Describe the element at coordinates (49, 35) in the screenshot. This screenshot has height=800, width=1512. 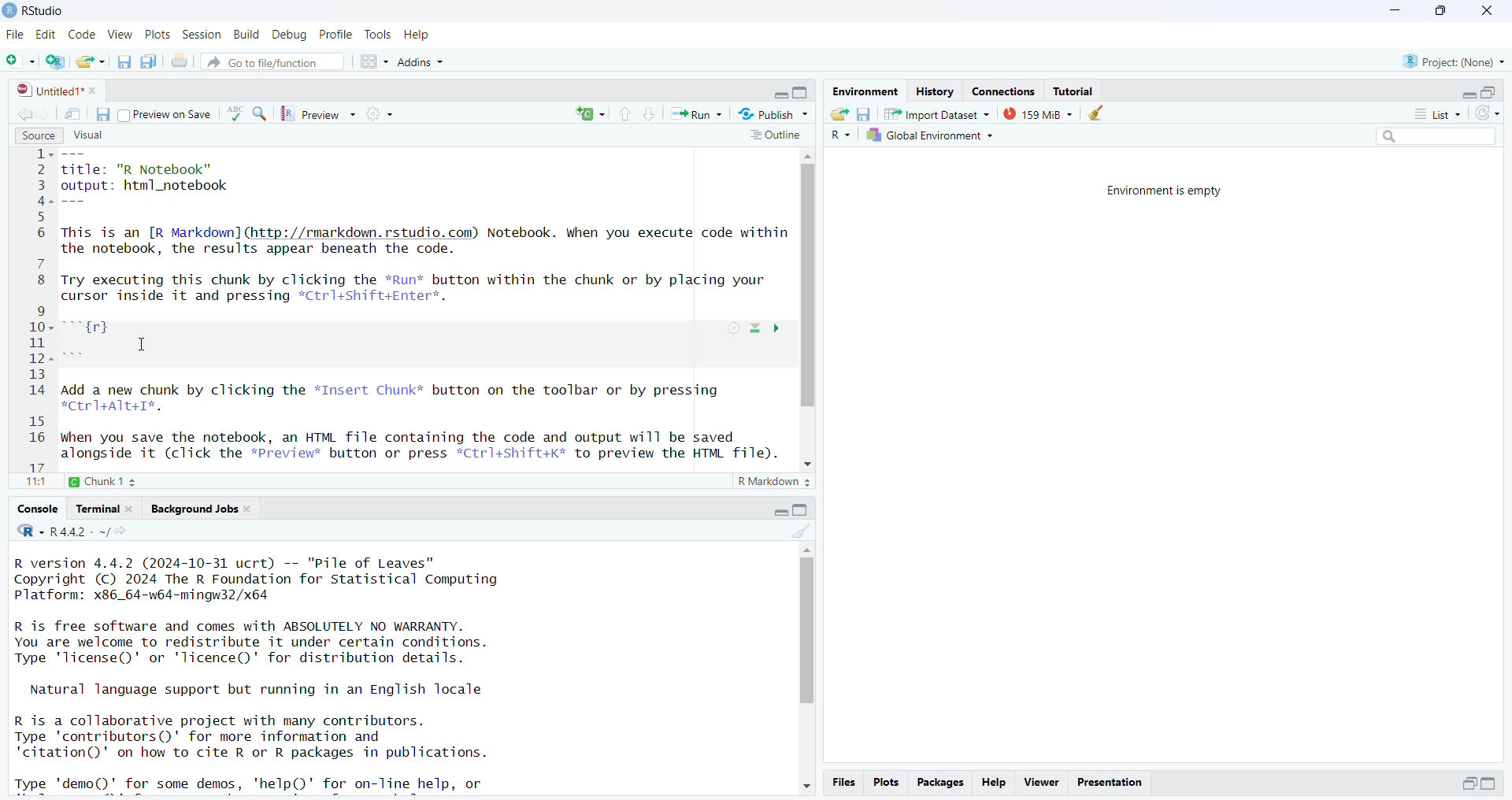
I see `edit` at that location.